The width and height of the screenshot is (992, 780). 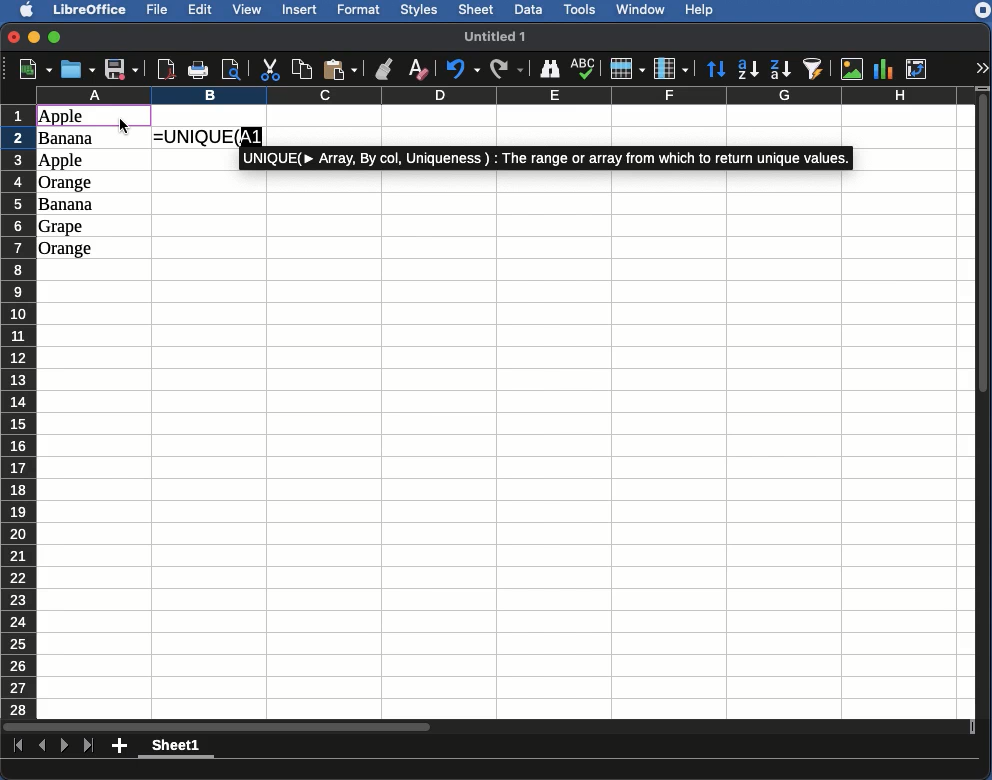 I want to click on Open, so click(x=76, y=70).